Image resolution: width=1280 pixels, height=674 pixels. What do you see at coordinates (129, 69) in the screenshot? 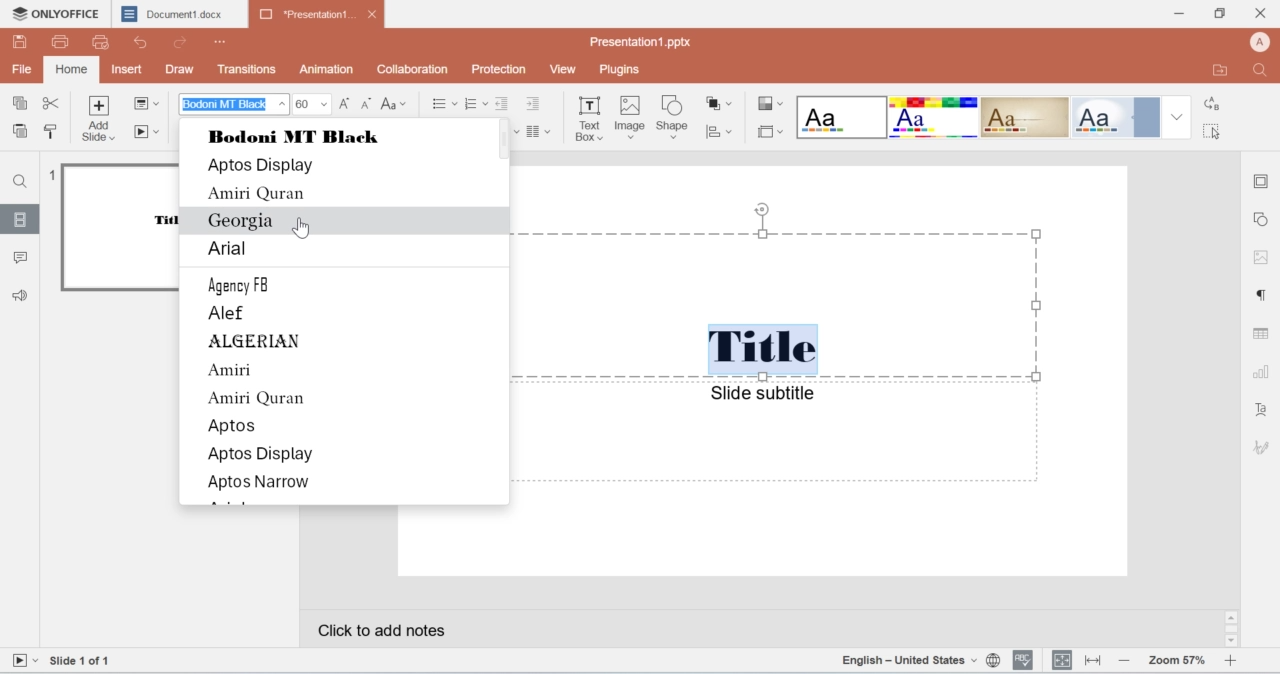
I see `insert` at bounding box center [129, 69].